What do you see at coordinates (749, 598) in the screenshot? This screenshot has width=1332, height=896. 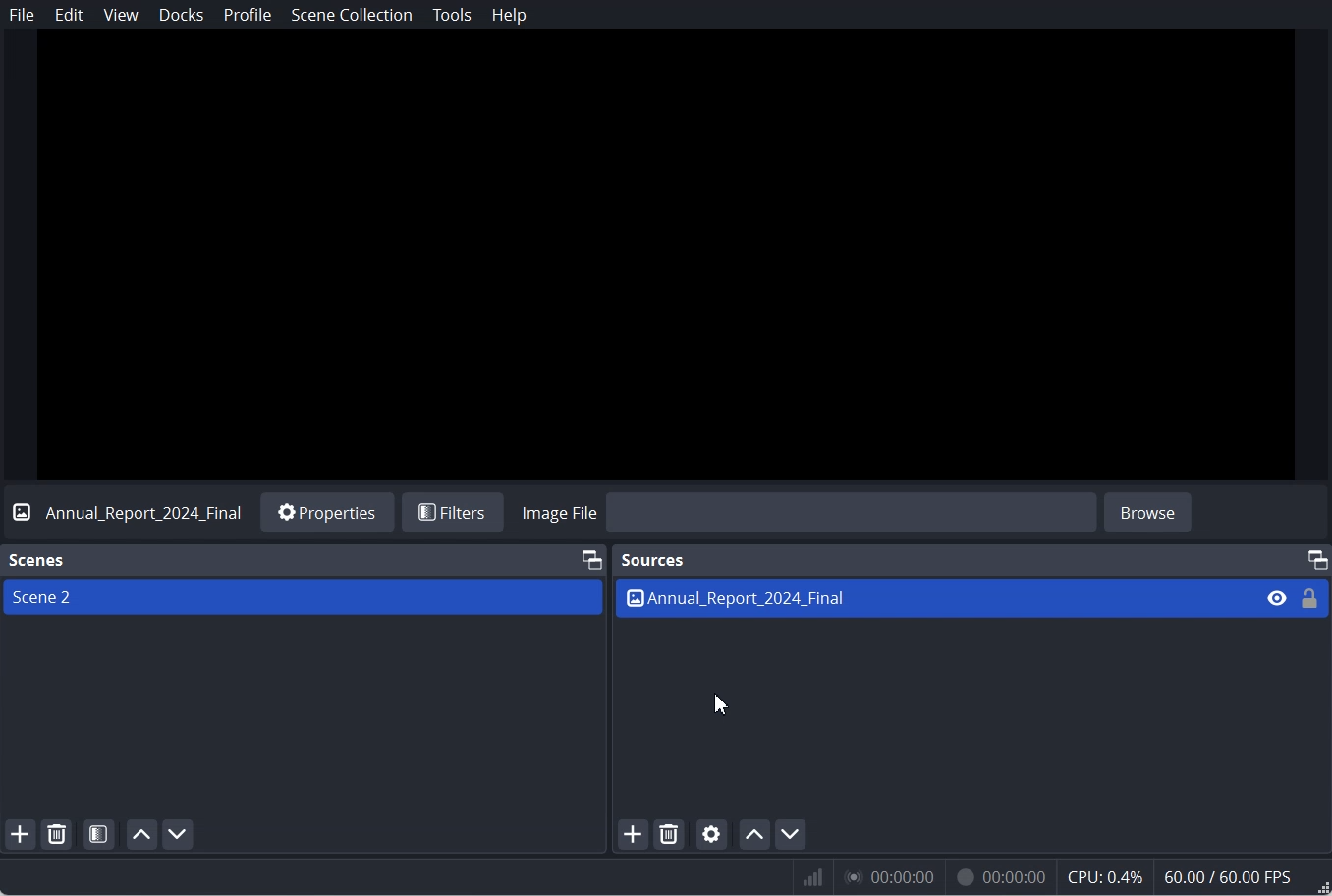 I see `Text` at bounding box center [749, 598].